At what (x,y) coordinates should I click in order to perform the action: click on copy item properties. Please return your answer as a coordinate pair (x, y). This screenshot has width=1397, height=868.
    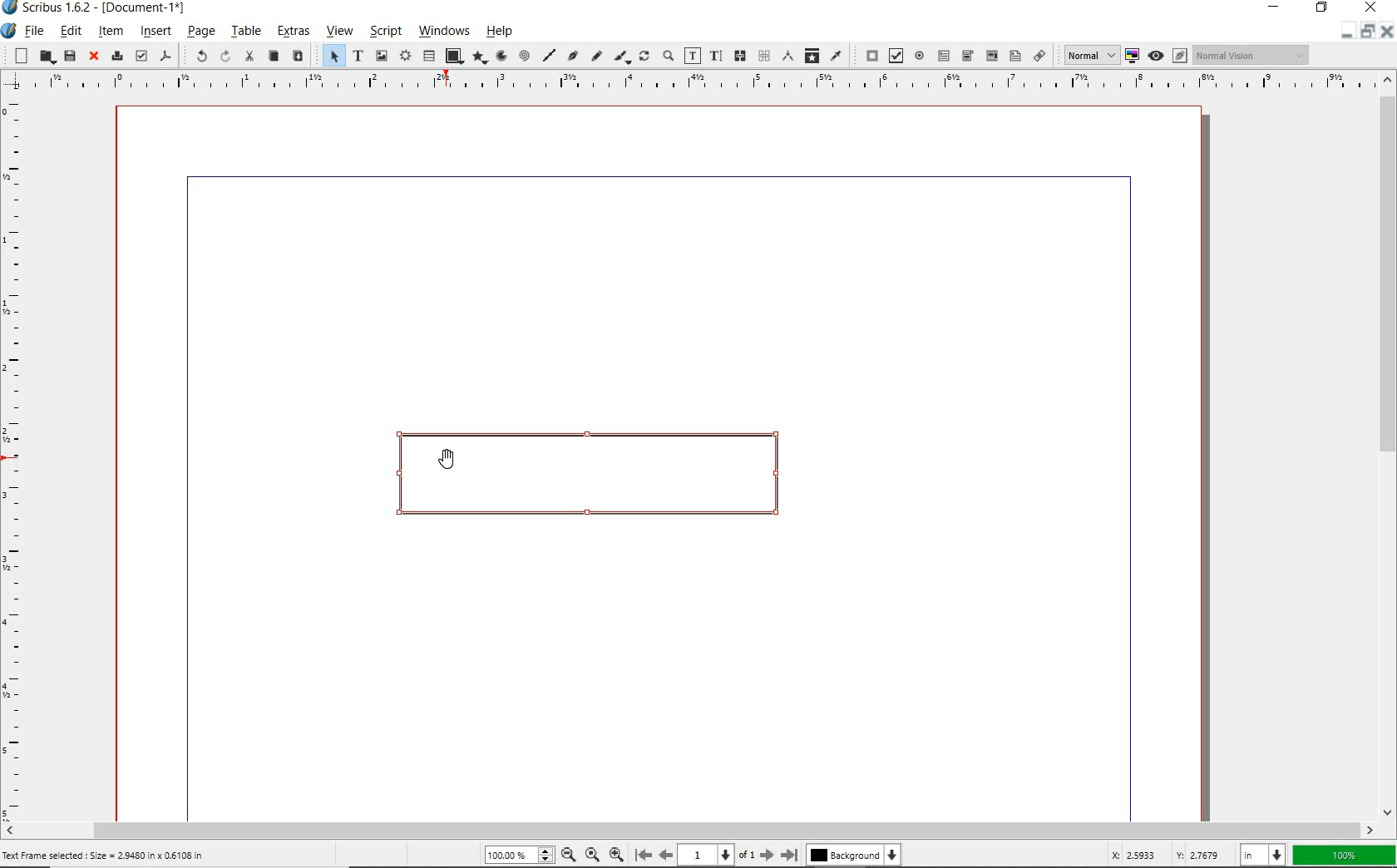
    Looking at the image, I should click on (812, 55).